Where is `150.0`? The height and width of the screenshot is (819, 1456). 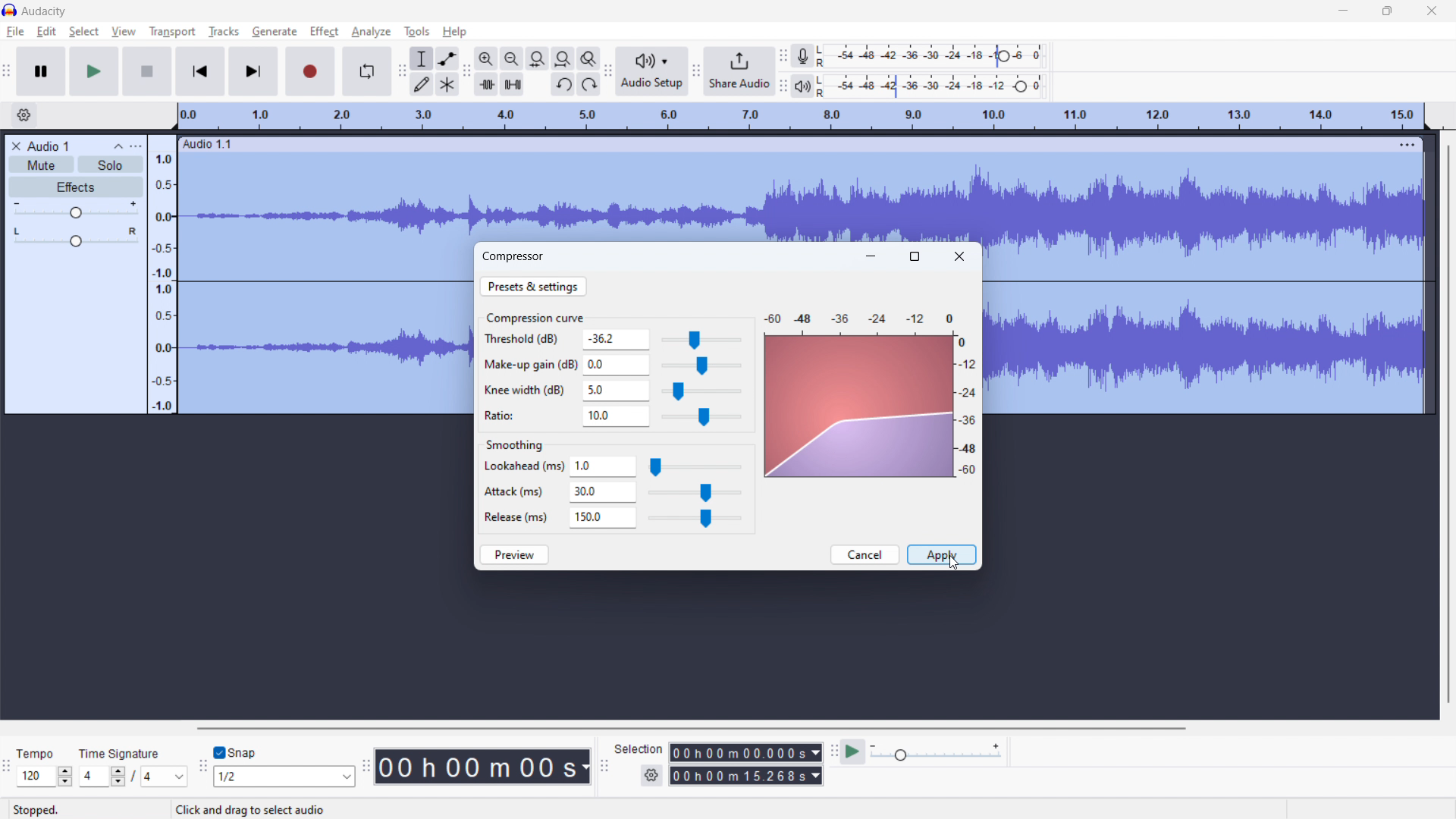
150.0 is located at coordinates (603, 518).